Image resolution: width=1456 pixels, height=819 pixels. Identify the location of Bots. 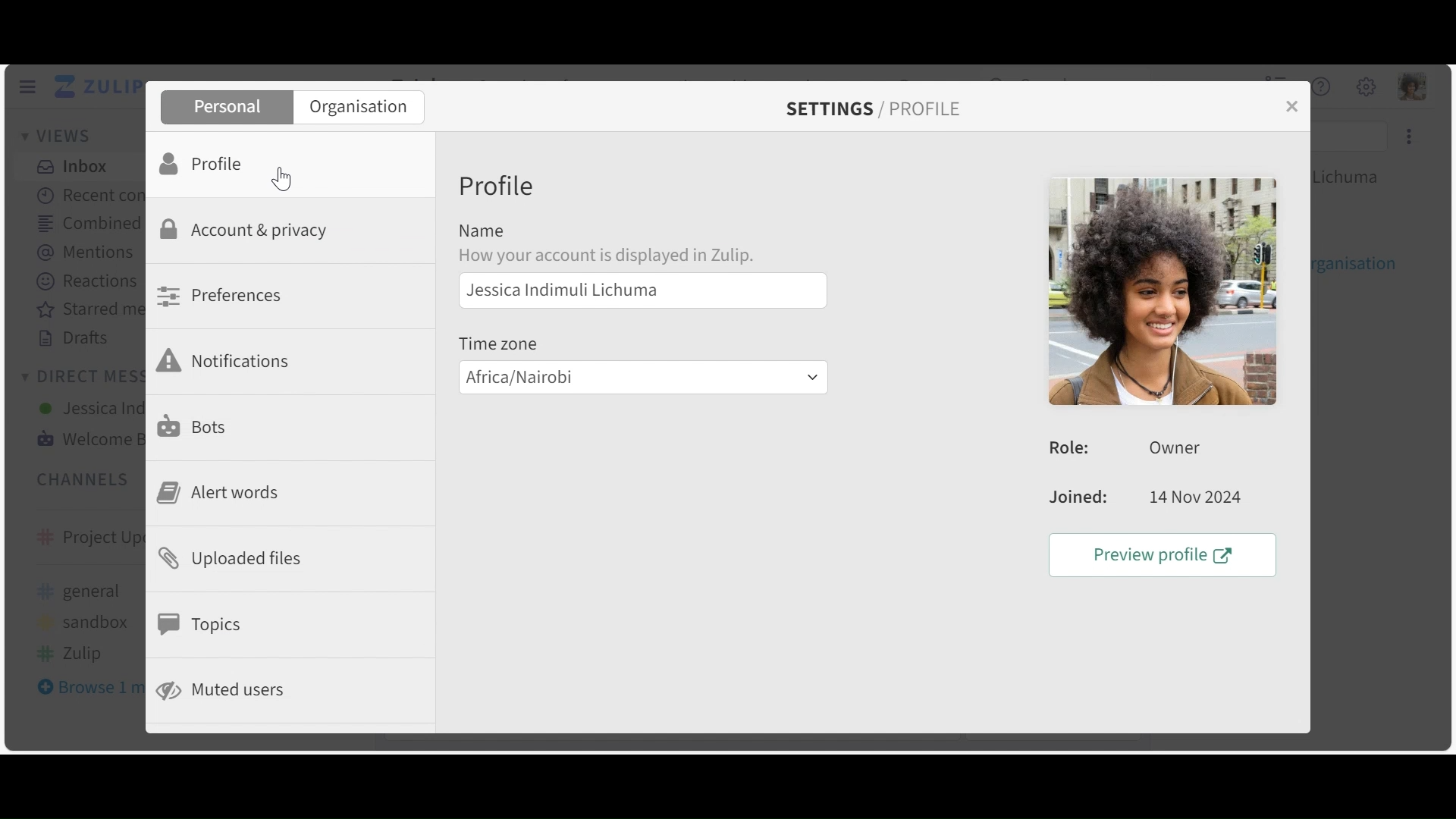
(193, 425).